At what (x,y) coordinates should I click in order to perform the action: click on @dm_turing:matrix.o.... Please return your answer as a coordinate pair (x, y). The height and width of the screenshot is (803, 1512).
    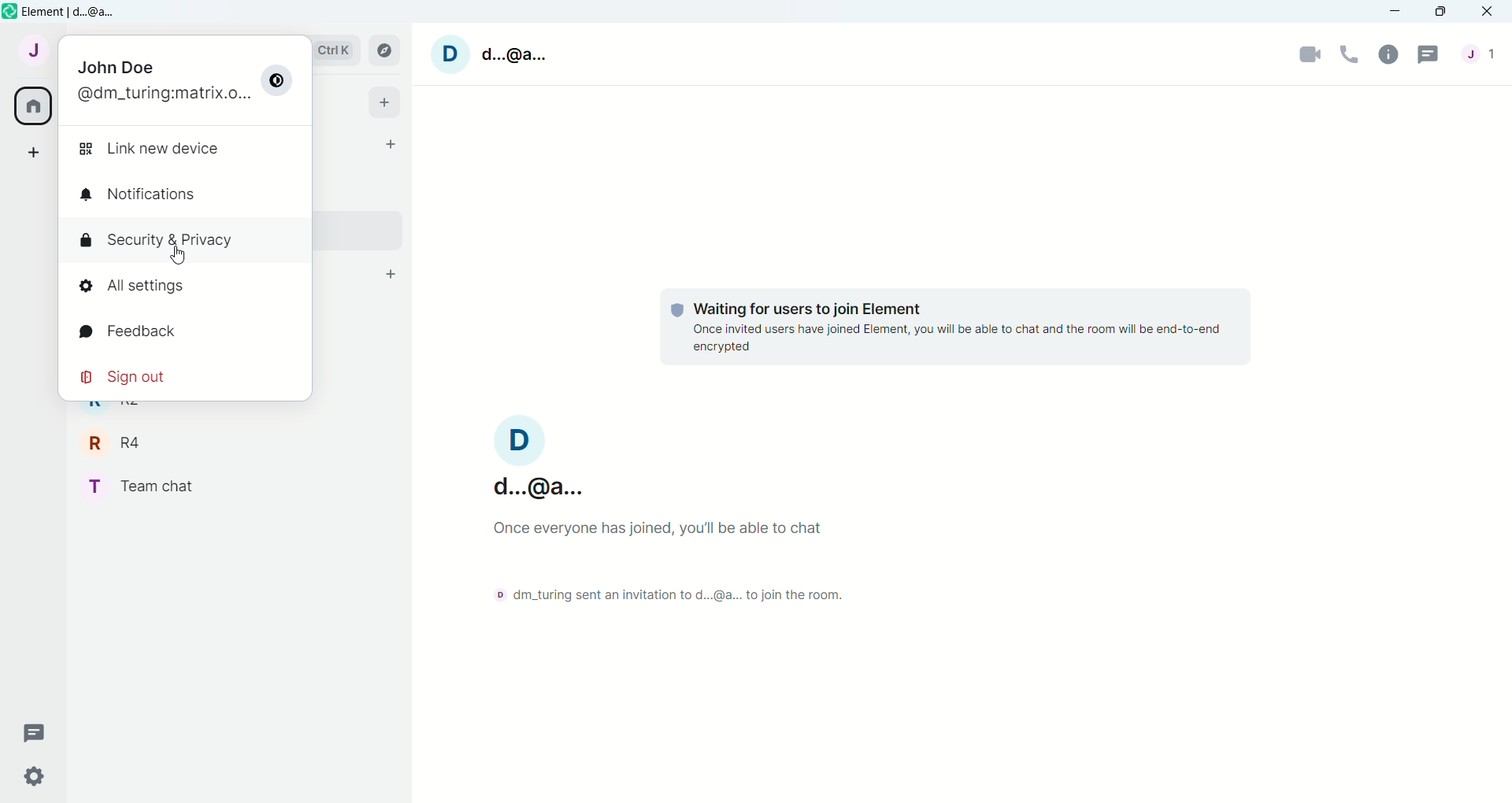
    Looking at the image, I should click on (165, 96).